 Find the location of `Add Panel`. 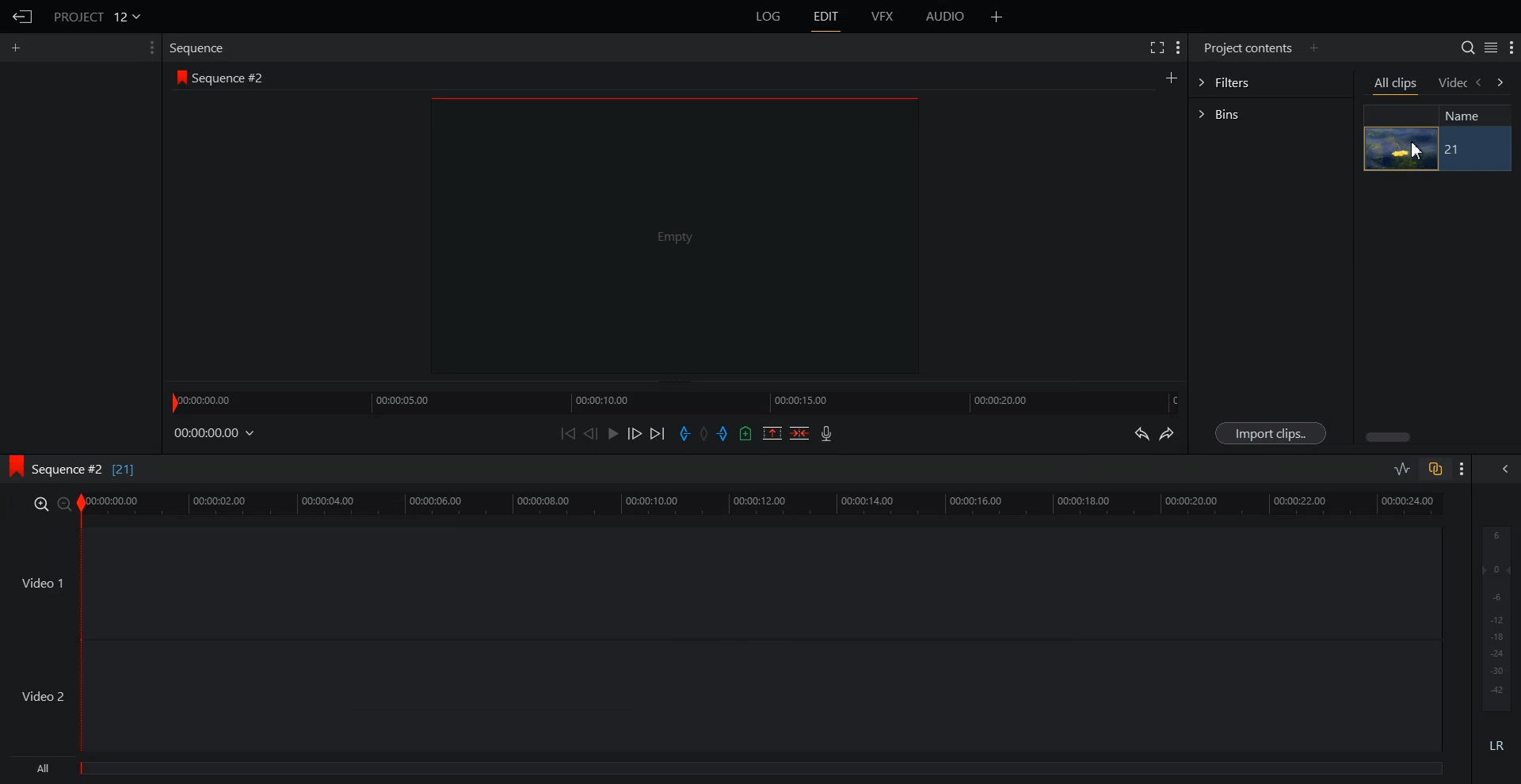

Add Panel is located at coordinates (19, 47).